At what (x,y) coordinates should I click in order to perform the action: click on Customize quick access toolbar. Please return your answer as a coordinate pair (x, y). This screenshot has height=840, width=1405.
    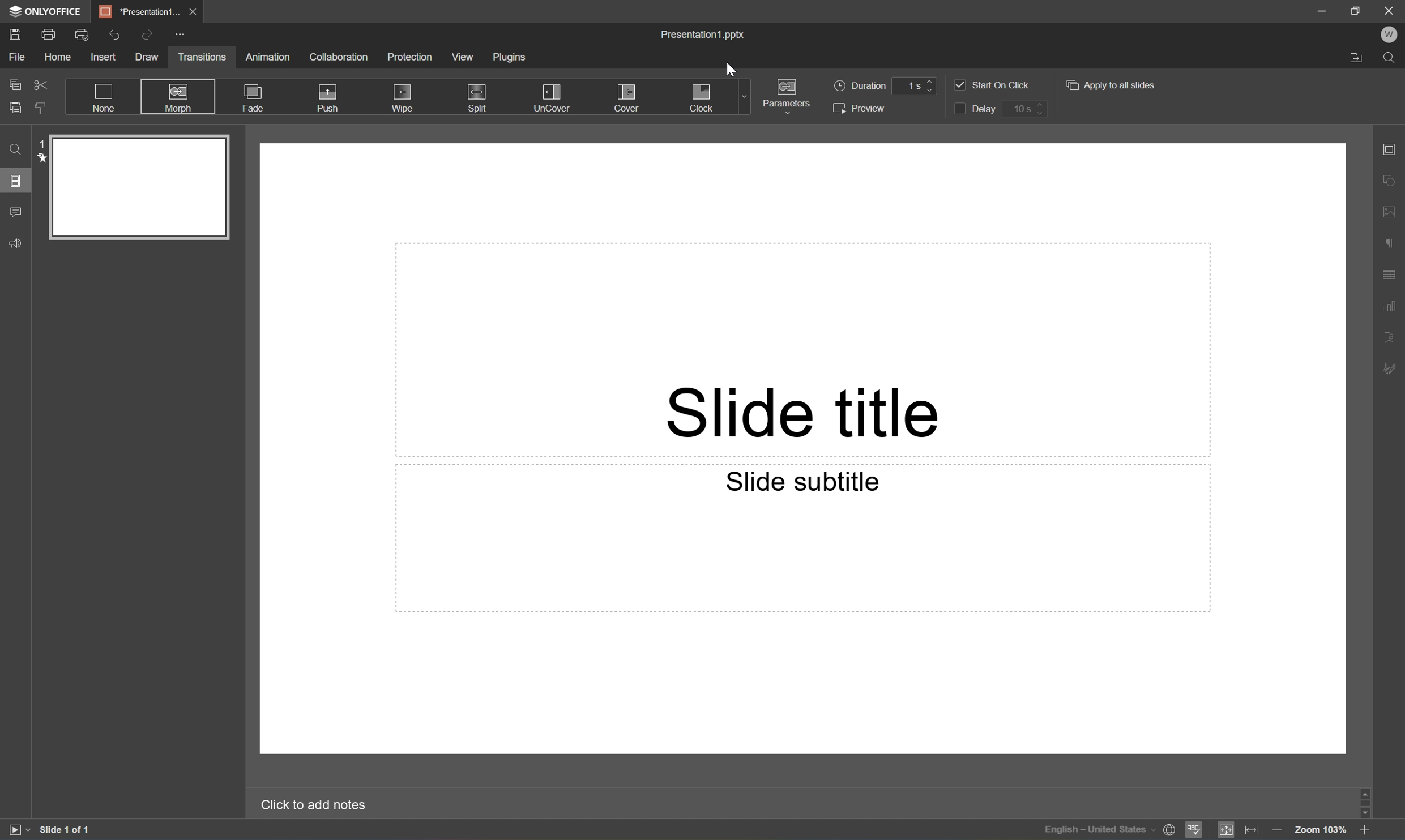
    Looking at the image, I should click on (180, 32).